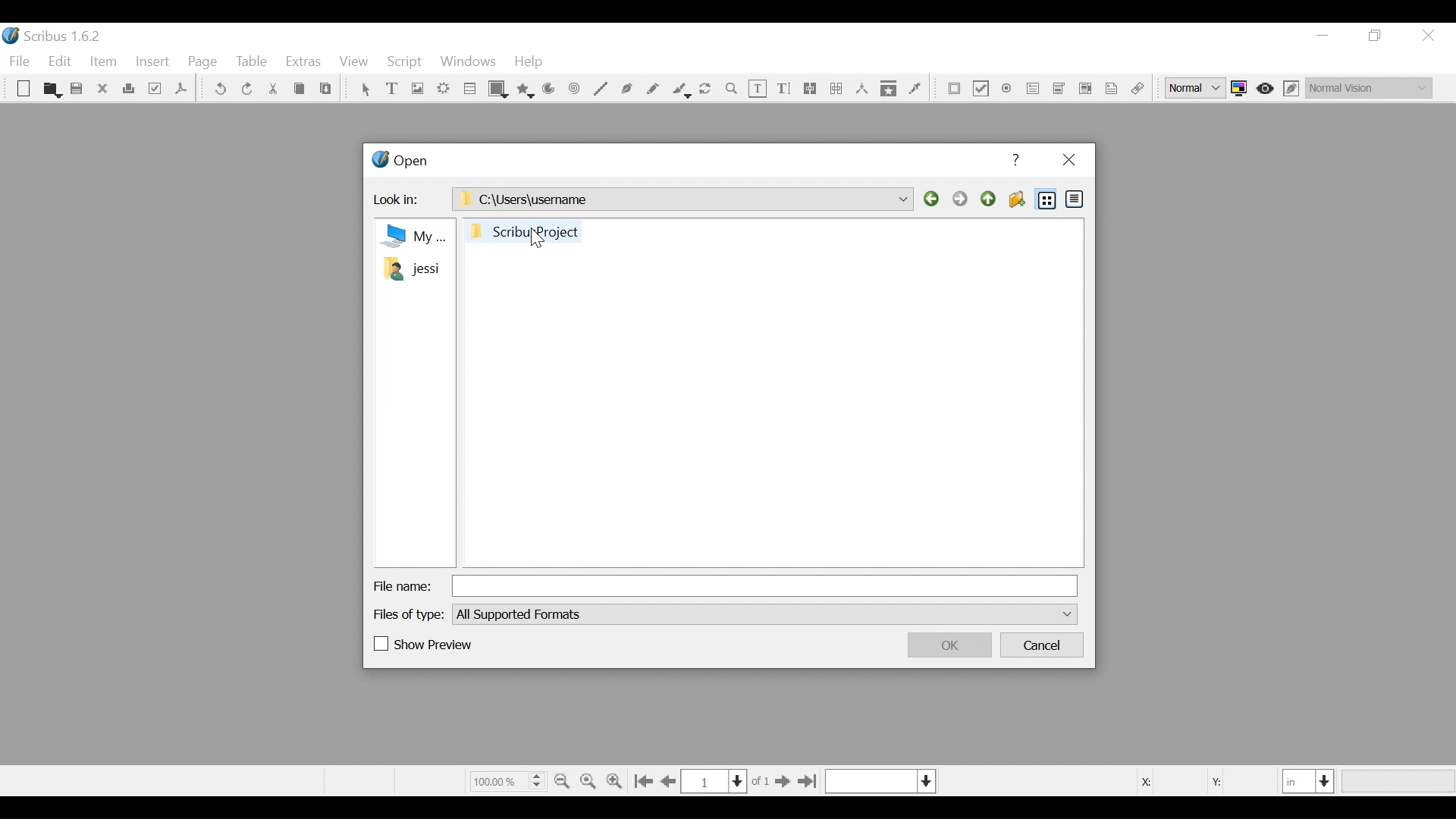 This screenshot has height=819, width=1456. What do you see at coordinates (1309, 780) in the screenshot?
I see `Select the current unit` at bounding box center [1309, 780].